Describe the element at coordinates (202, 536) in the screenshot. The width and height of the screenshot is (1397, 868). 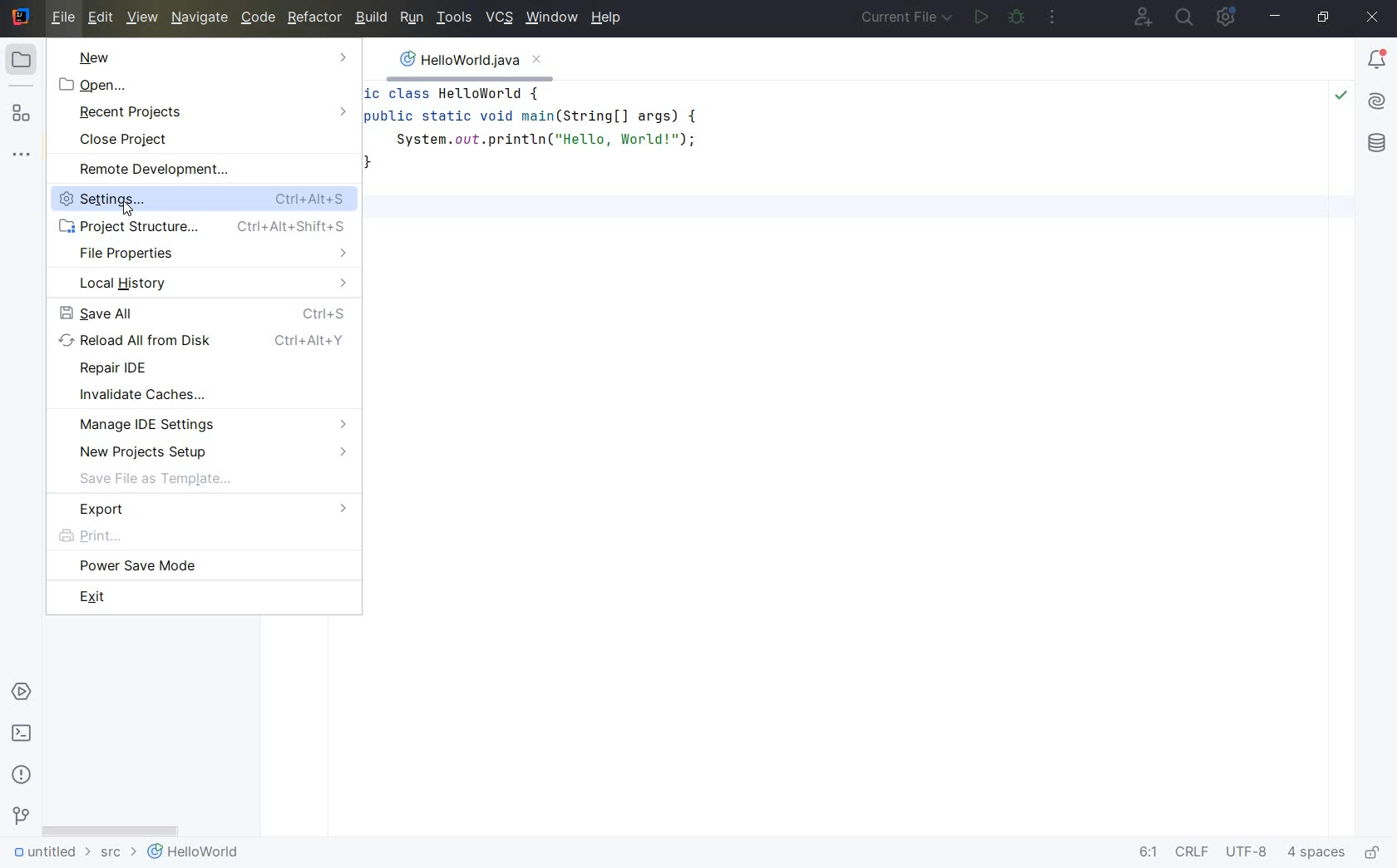
I see `PRINT` at that location.